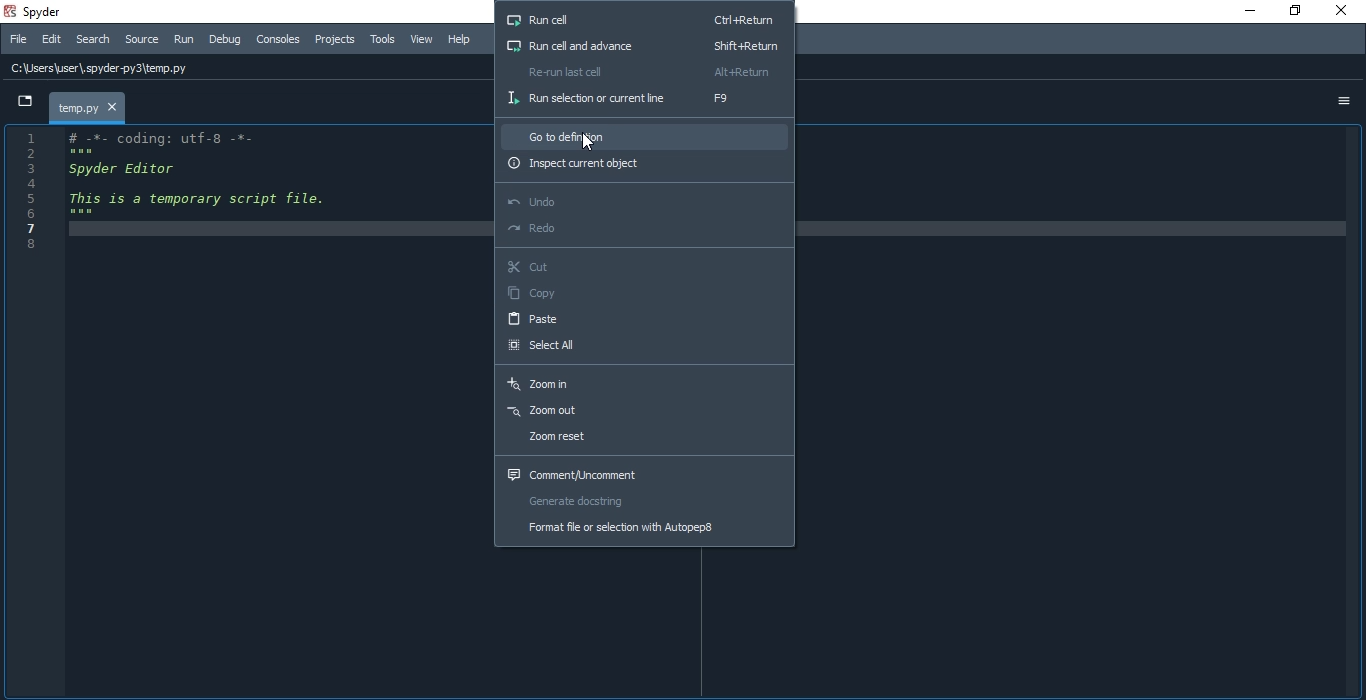  What do you see at coordinates (643, 531) in the screenshot?
I see `Format file or selection with Autopep8` at bounding box center [643, 531].